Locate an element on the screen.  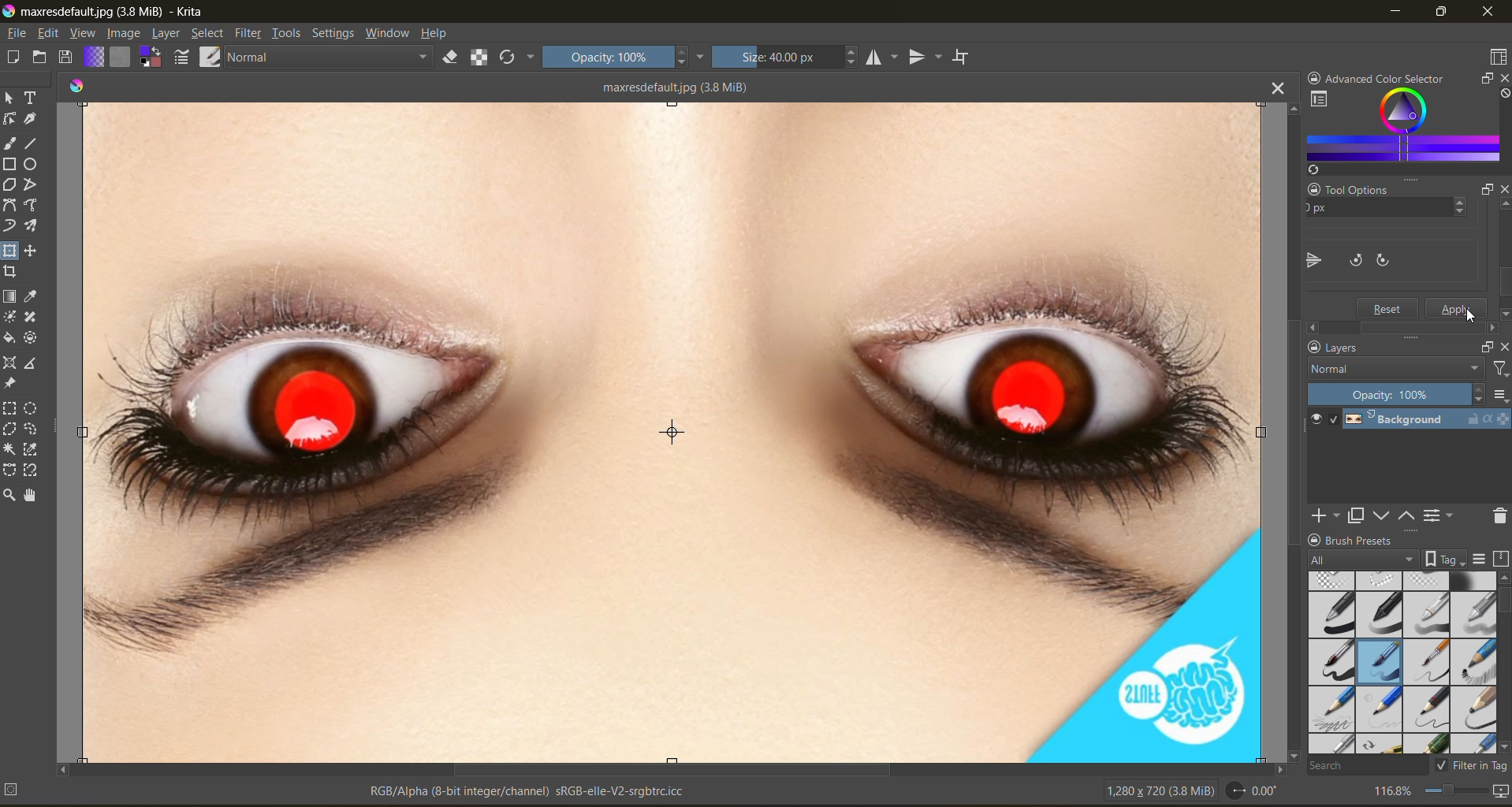
scrollbar is located at coordinates (1400, 326).